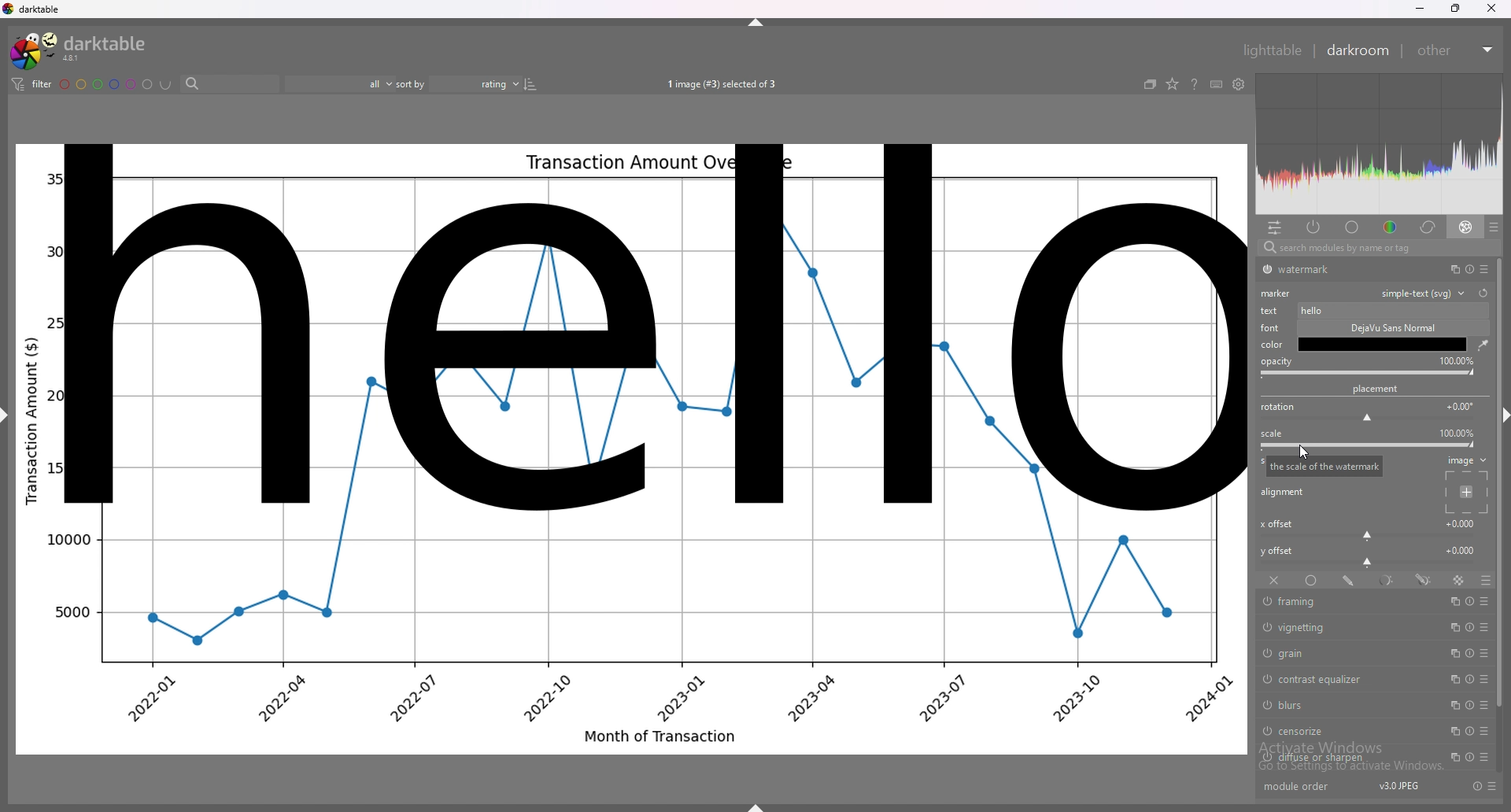 The width and height of the screenshot is (1511, 812). What do you see at coordinates (1450, 269) in the screenshot?
I see `multiple instances action` at bounding box center [1450, 269].